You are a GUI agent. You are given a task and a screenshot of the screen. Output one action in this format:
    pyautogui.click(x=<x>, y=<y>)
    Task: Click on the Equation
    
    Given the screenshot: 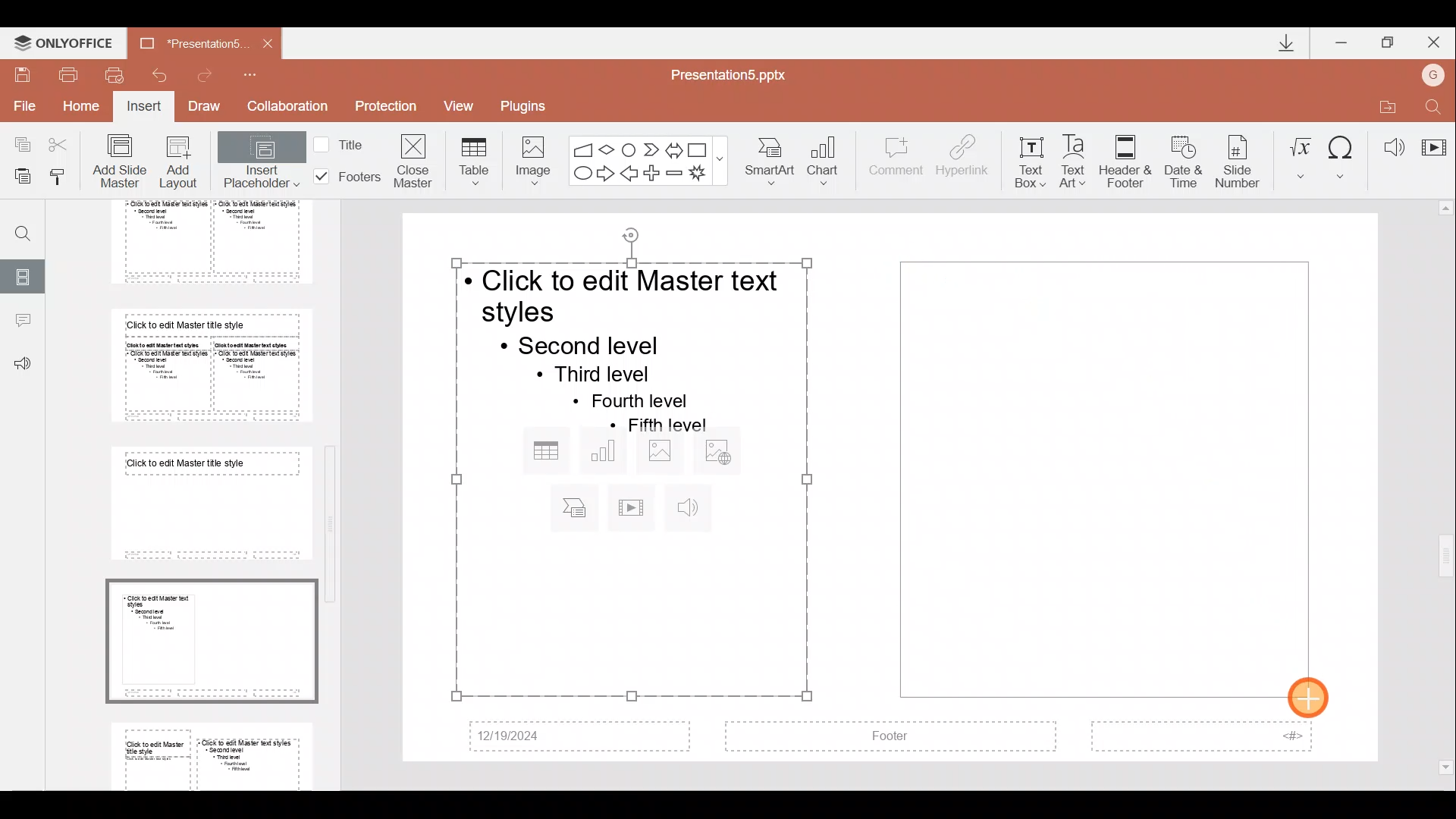 What is the action you would take?
    pyautogui.click(x=1300, y=155)
    